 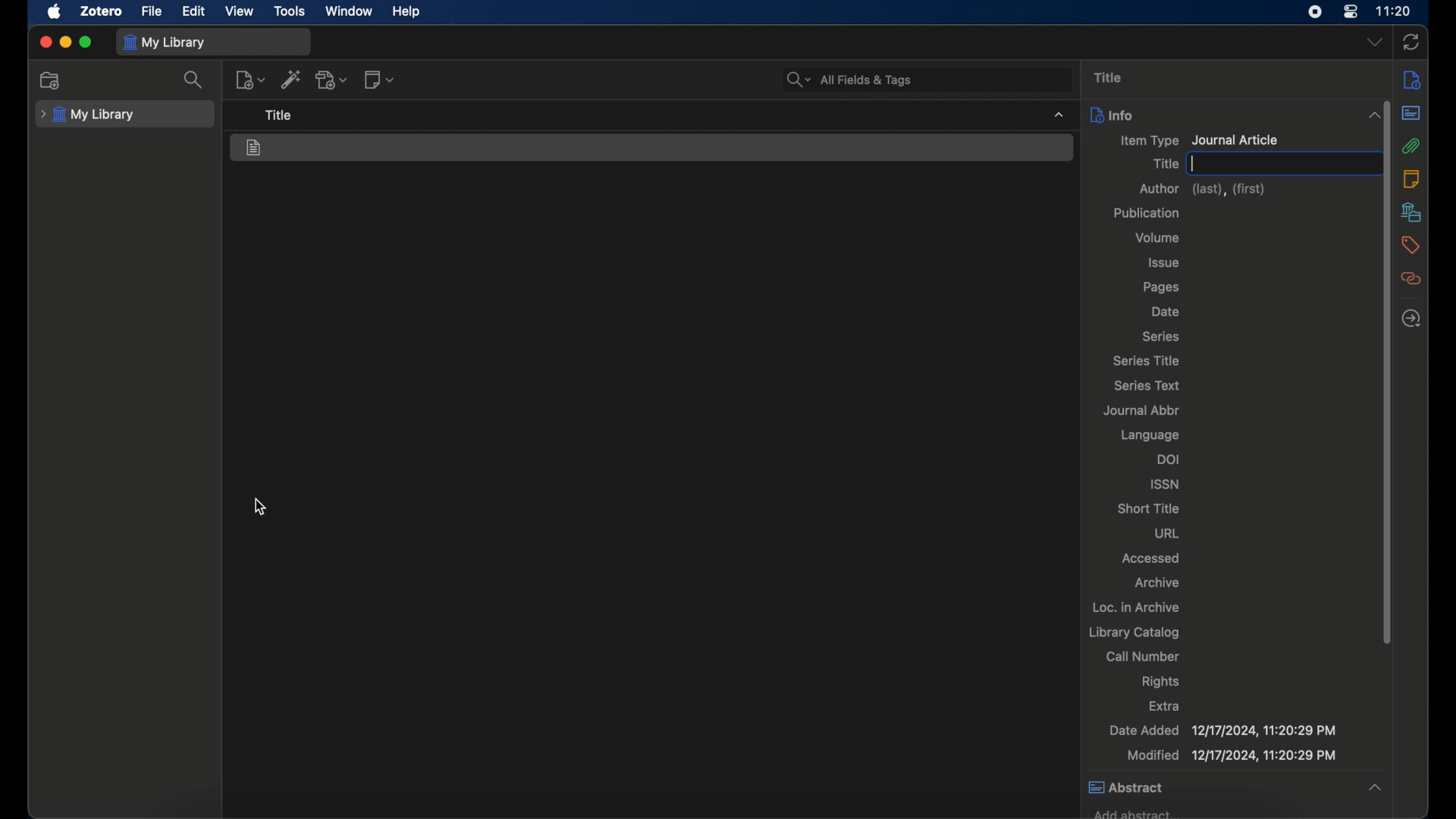 I want to click on pages, so click(x=1162, y=288).